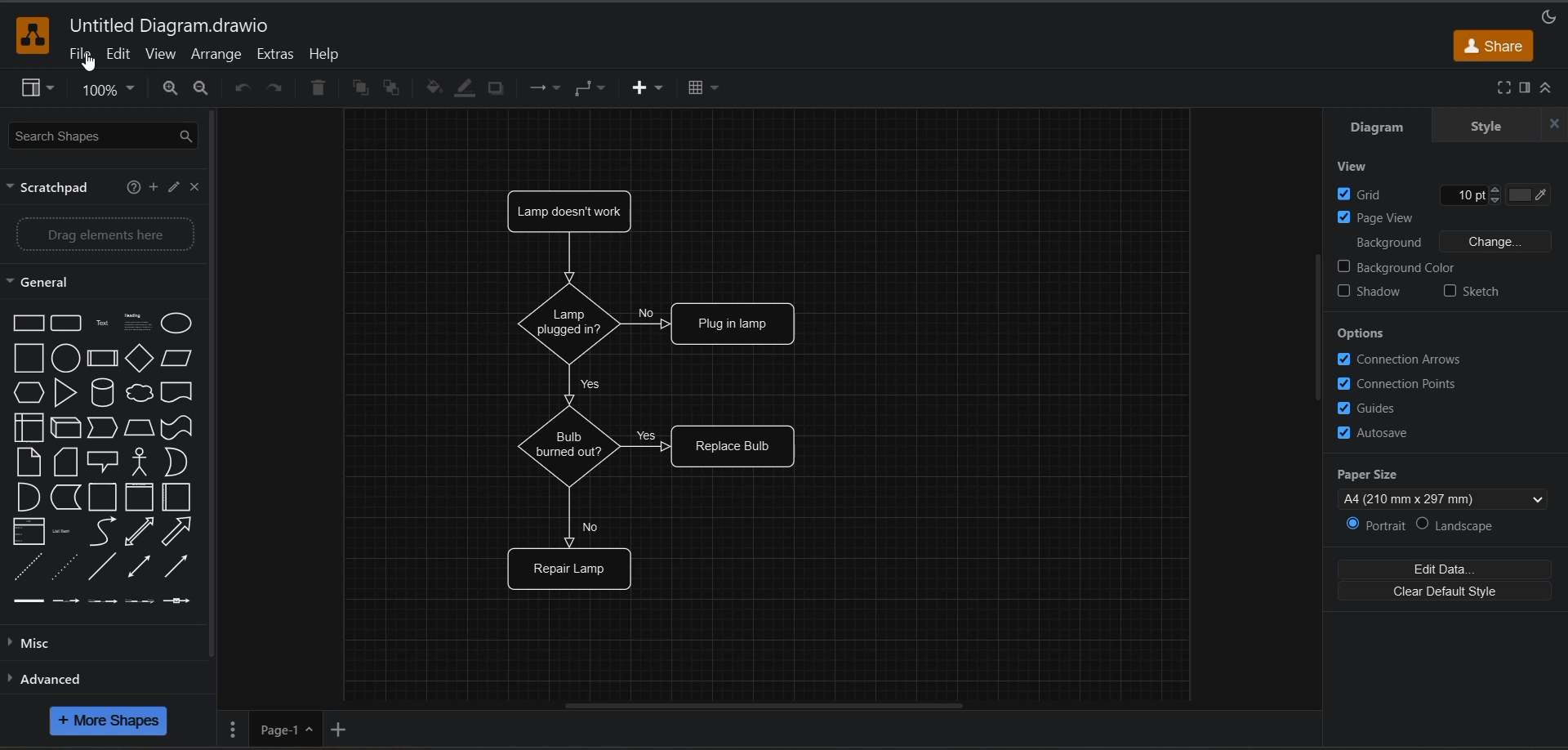 The width and height of the screenshot is (1568, 750). What do you see at coordinates (102, 135) in the screenshot?
I see `search shapes` at bounding box center [102, 135].